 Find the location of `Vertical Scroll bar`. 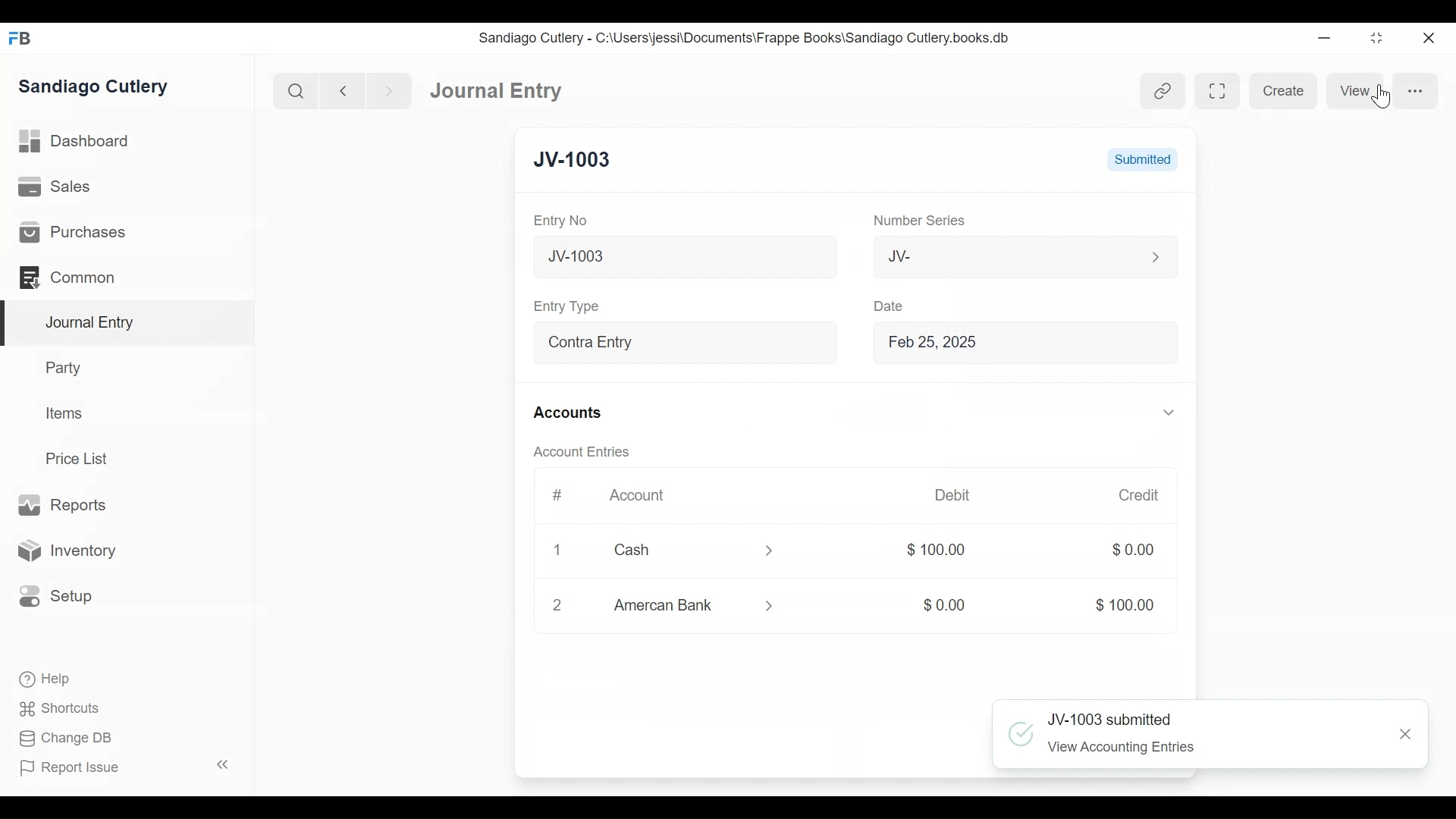

Vertical Scroll bar is located at coordinates (1194, 434).